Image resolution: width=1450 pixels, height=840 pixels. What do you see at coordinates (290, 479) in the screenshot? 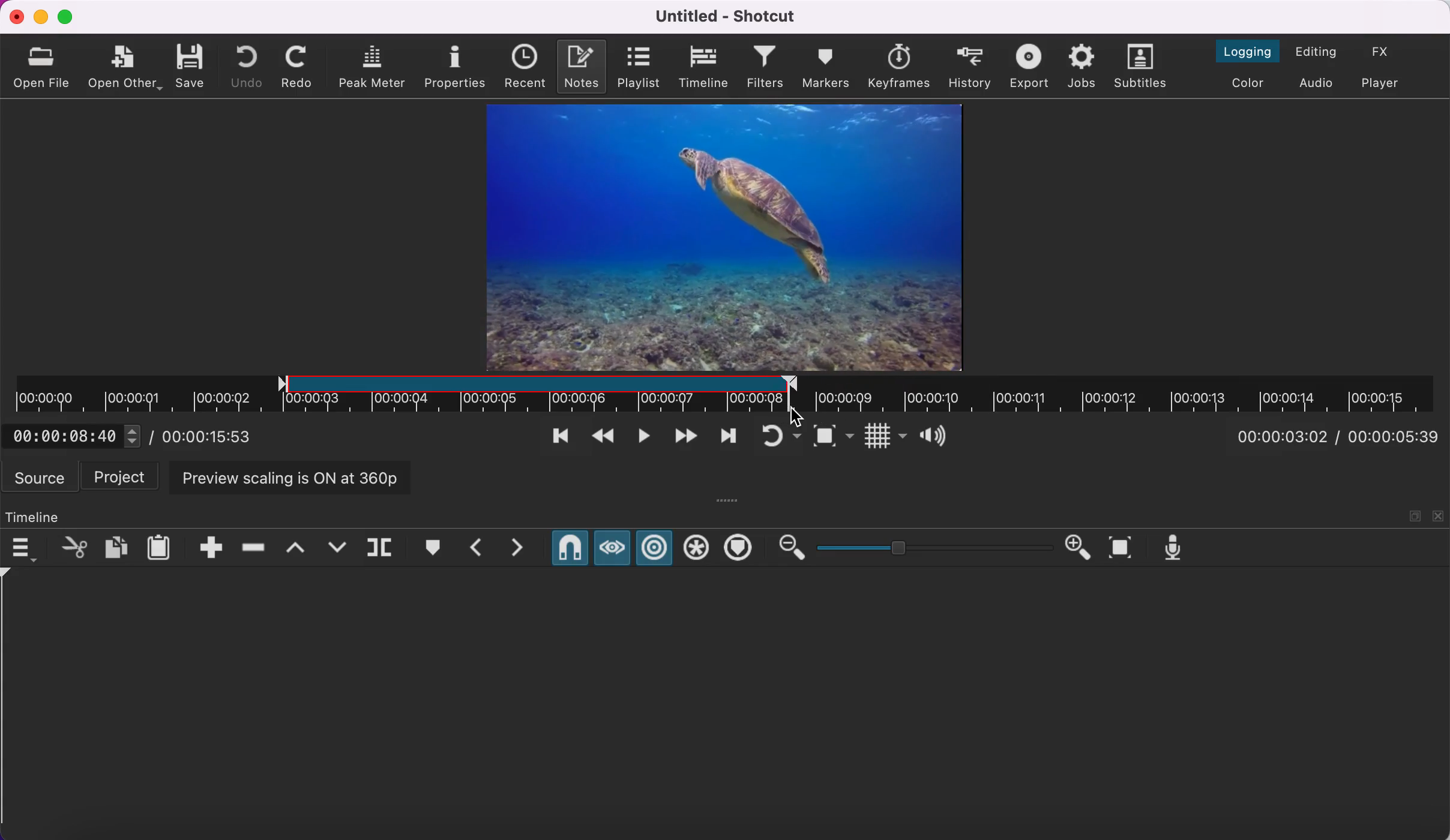
I see `preview scaling is on at 360p` at bounding box center [290, 479].